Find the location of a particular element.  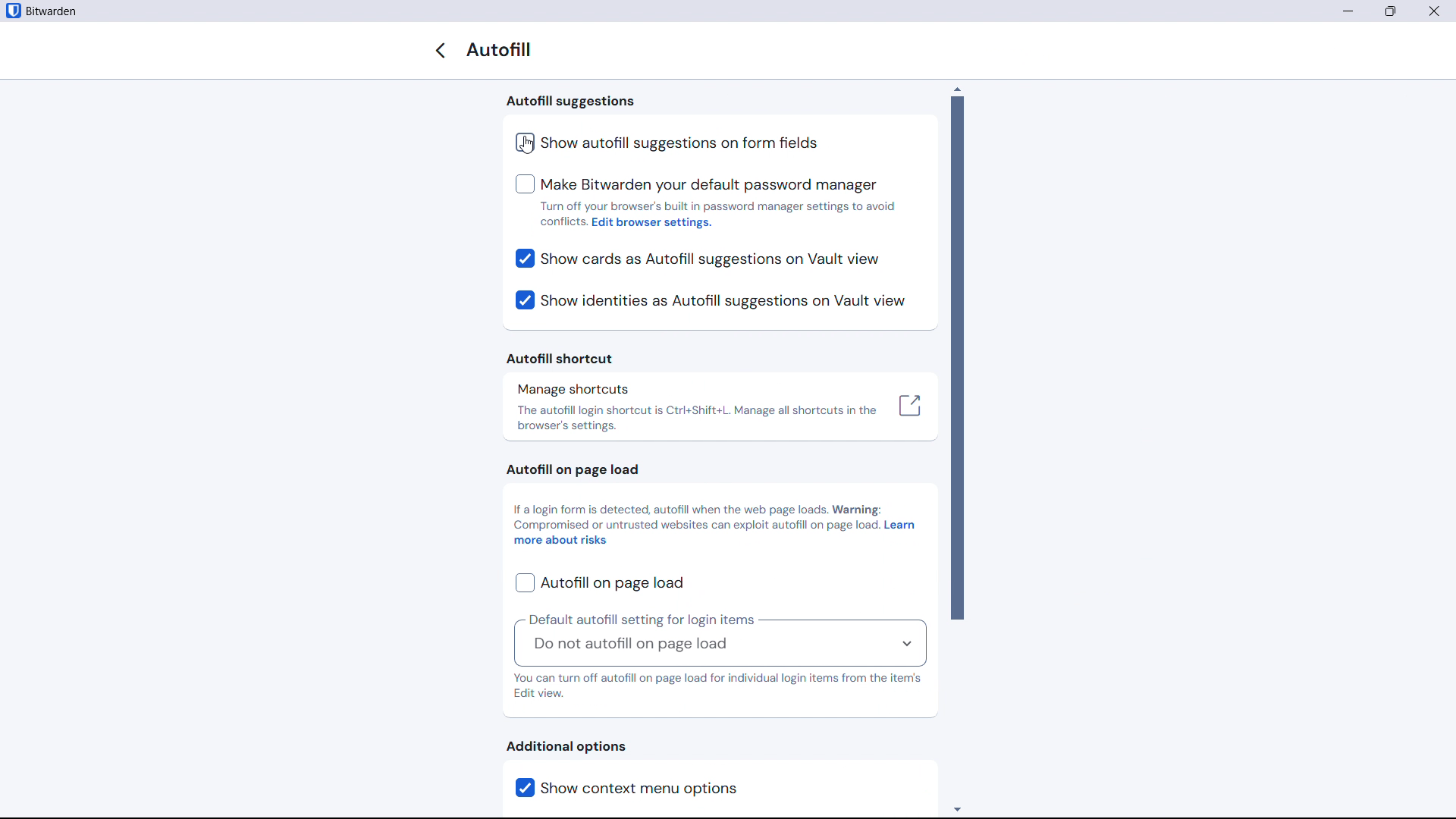

Show identities as out of your suggestions on vault view is located at coordinates (710, 301).